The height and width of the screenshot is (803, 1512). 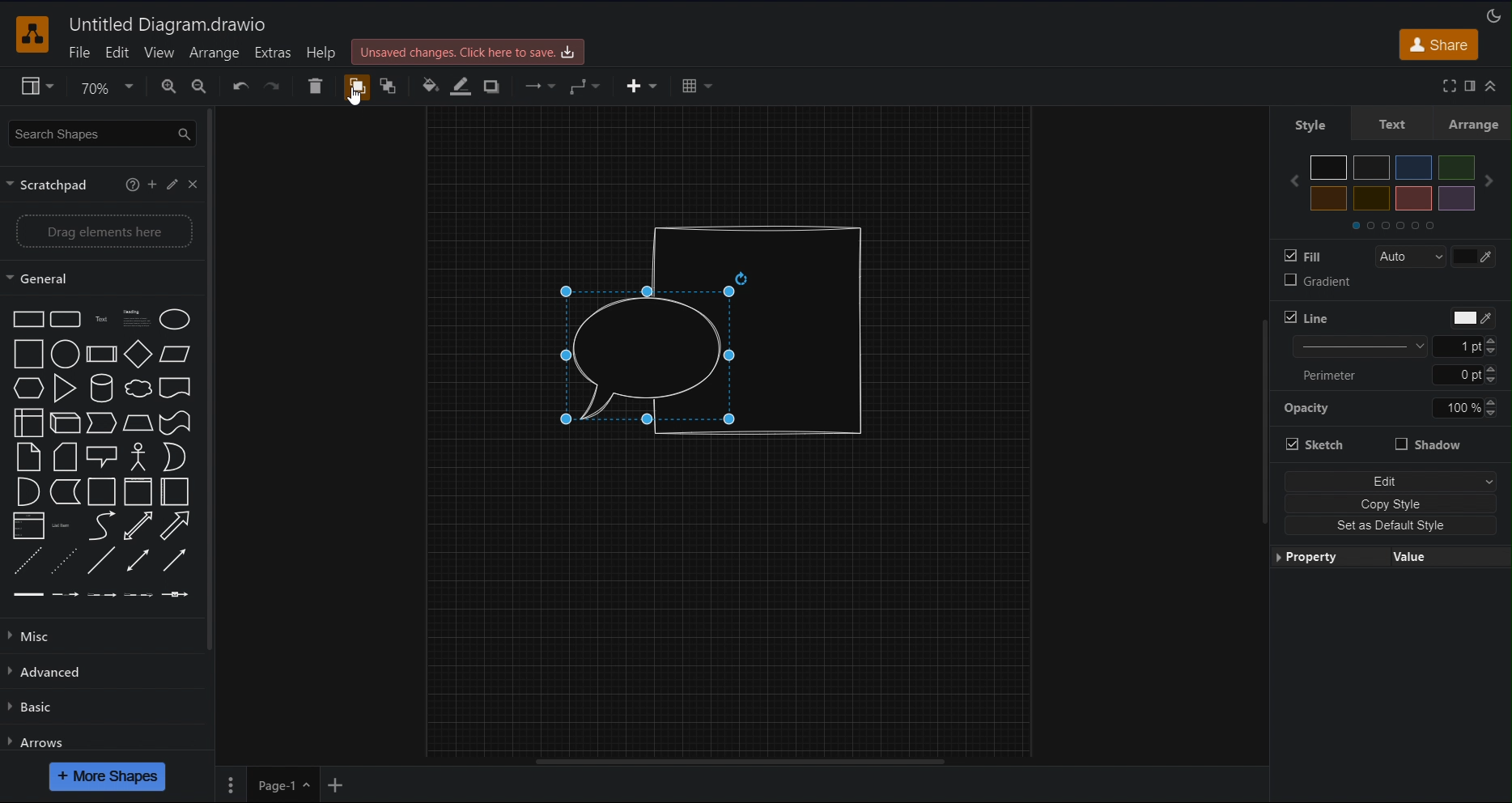 What do you see at coordinates (65, 457) in the screenshot?
I see `Card` at bounding box center [65, 457].